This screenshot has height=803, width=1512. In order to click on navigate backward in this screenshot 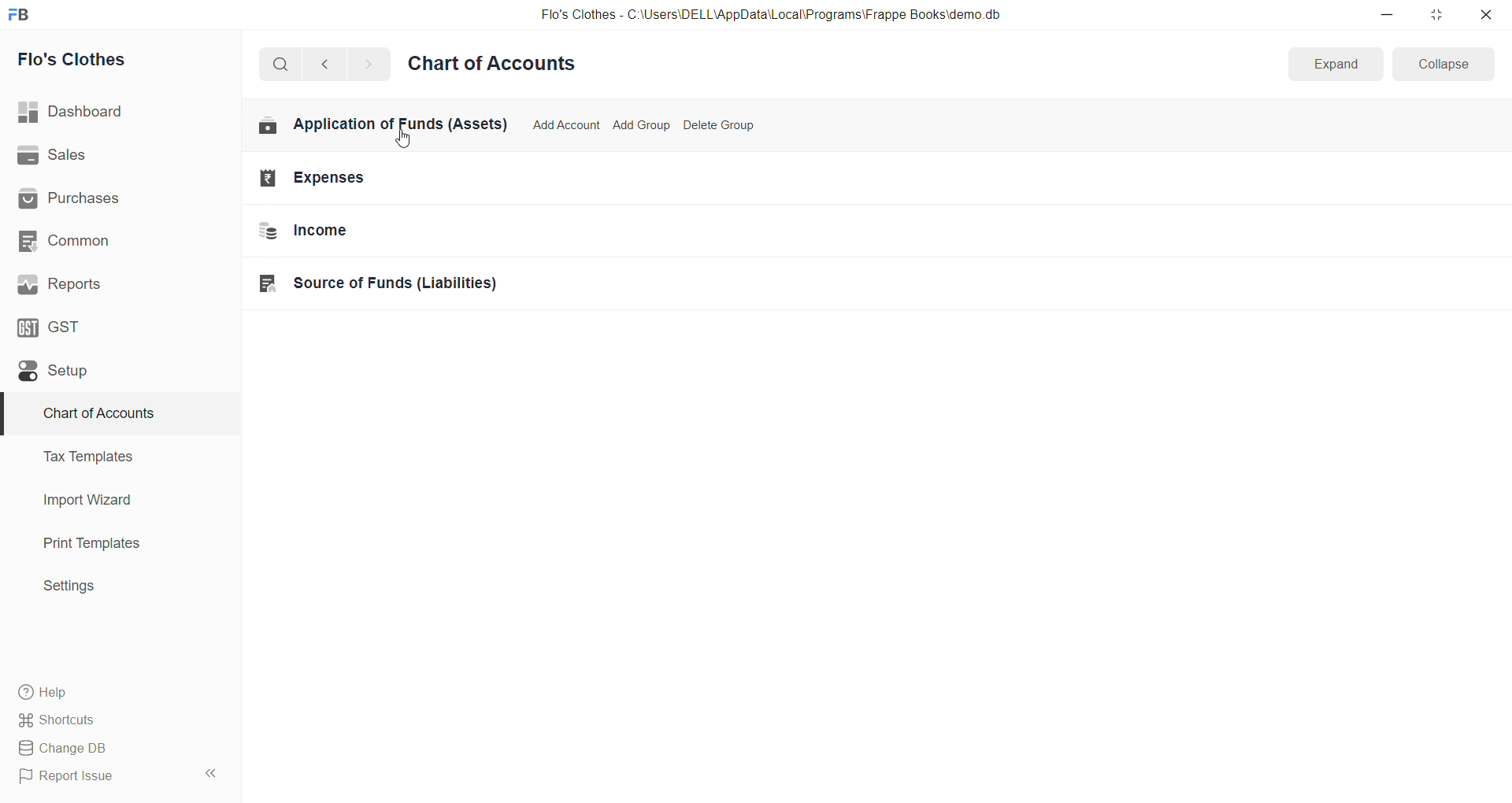, I will do `click(332, 62)`.